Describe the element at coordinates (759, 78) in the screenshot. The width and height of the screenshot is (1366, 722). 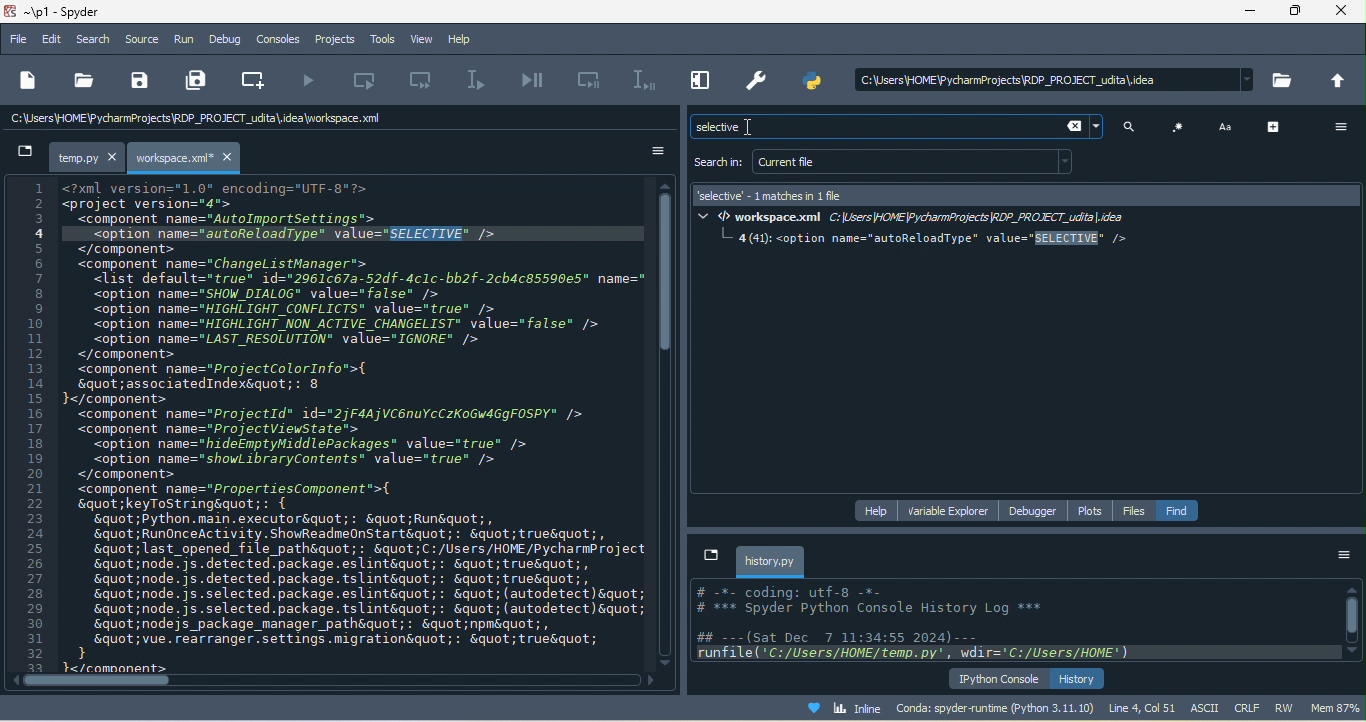
I see `preferences` at that location.